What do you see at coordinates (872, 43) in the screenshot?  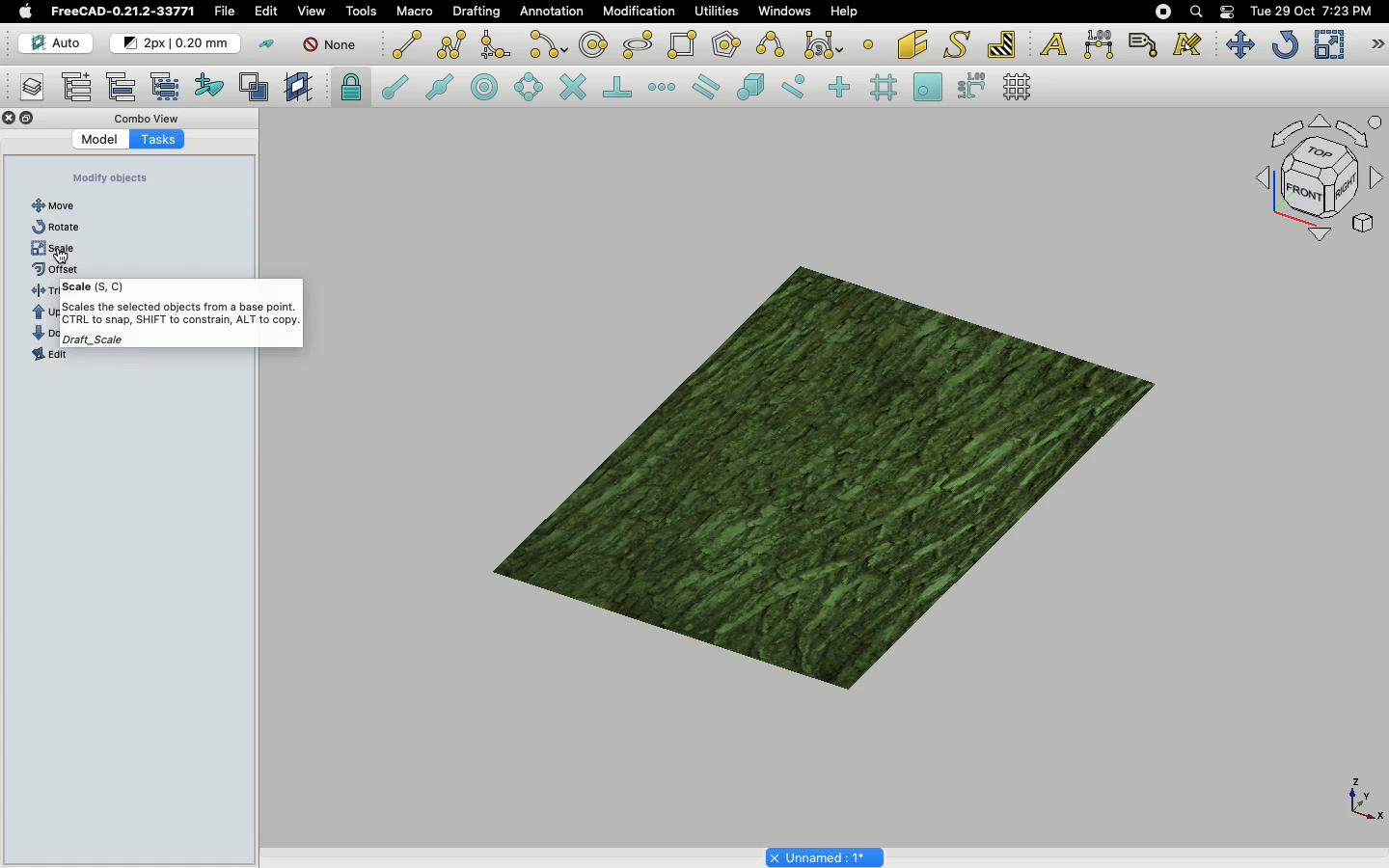 I see `Point` at bounding box center [872, 43].